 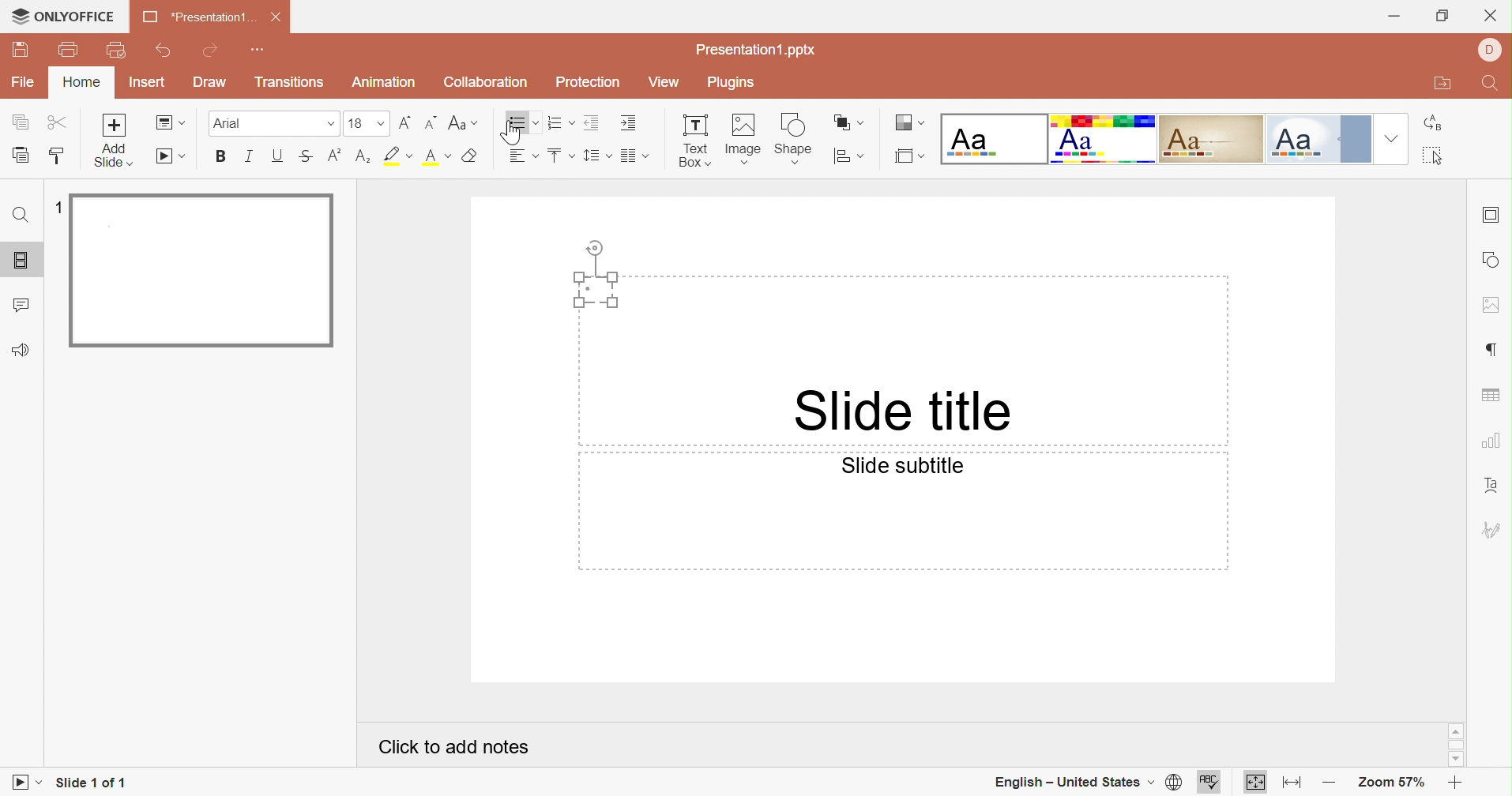 I want to click on Scroll Up, so click(x=1452, y=731).